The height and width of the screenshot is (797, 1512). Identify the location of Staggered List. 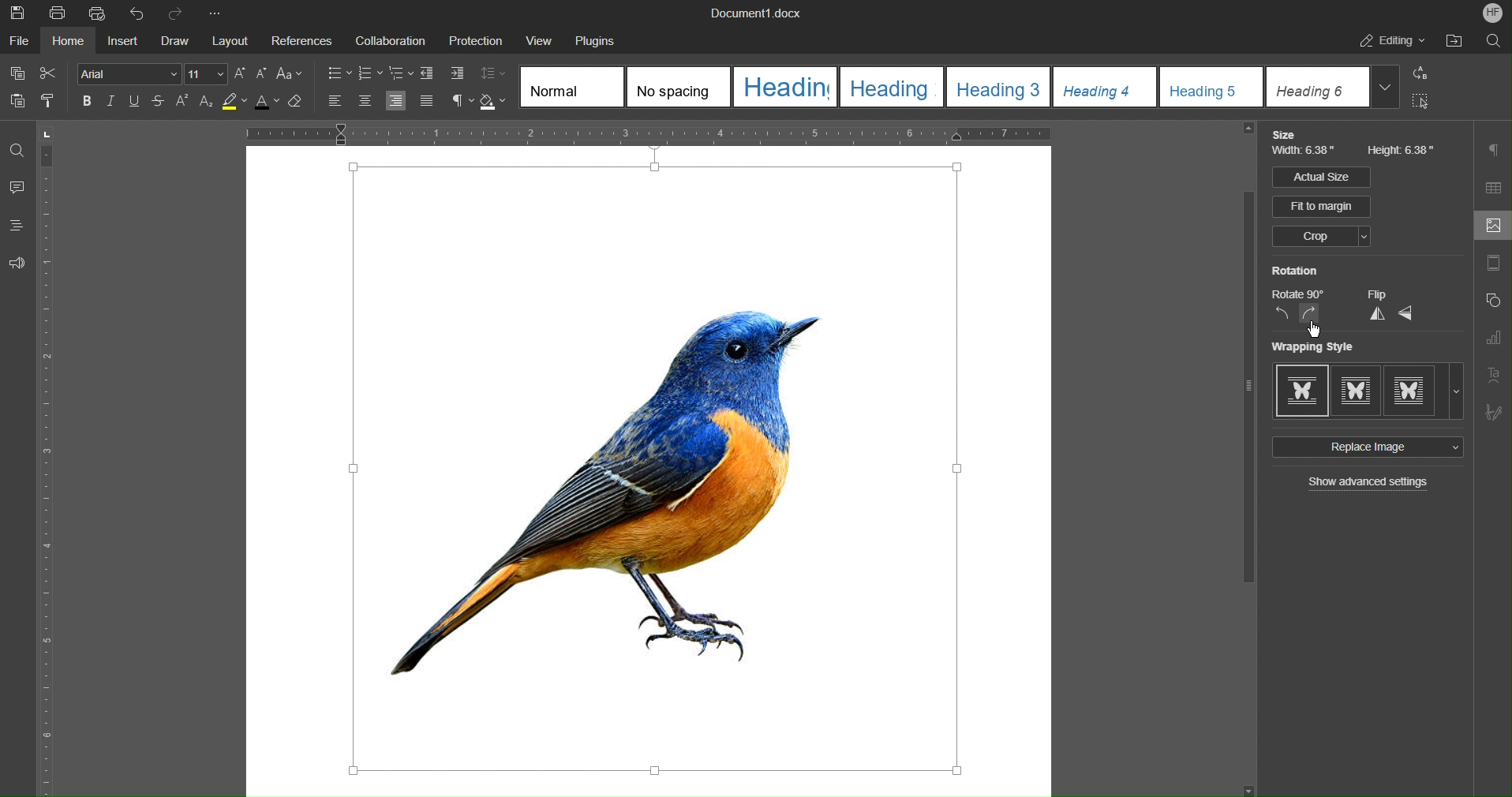
(400, 74).